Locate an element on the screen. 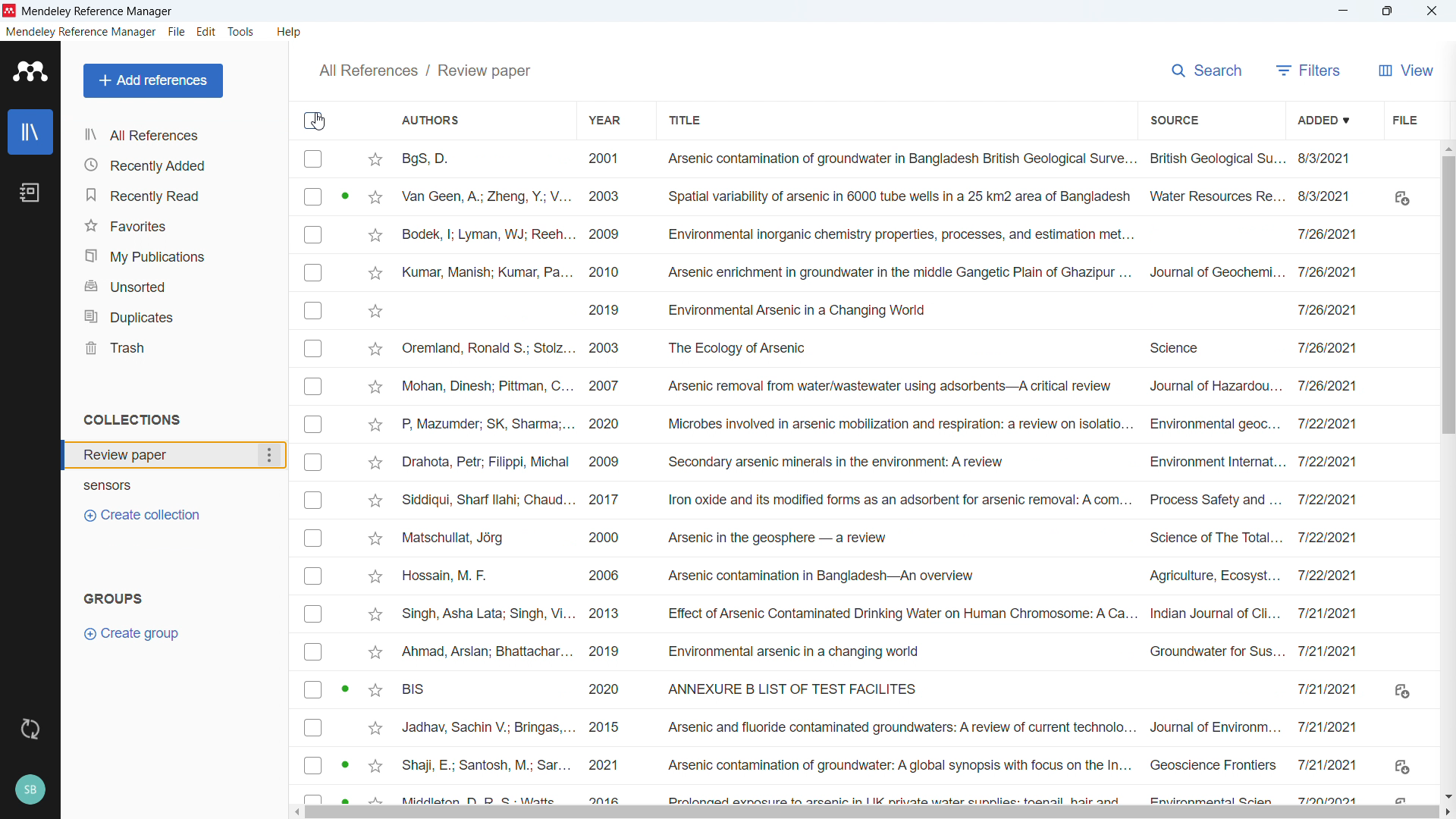  Unsorted  is located at coordinates (173, 285).